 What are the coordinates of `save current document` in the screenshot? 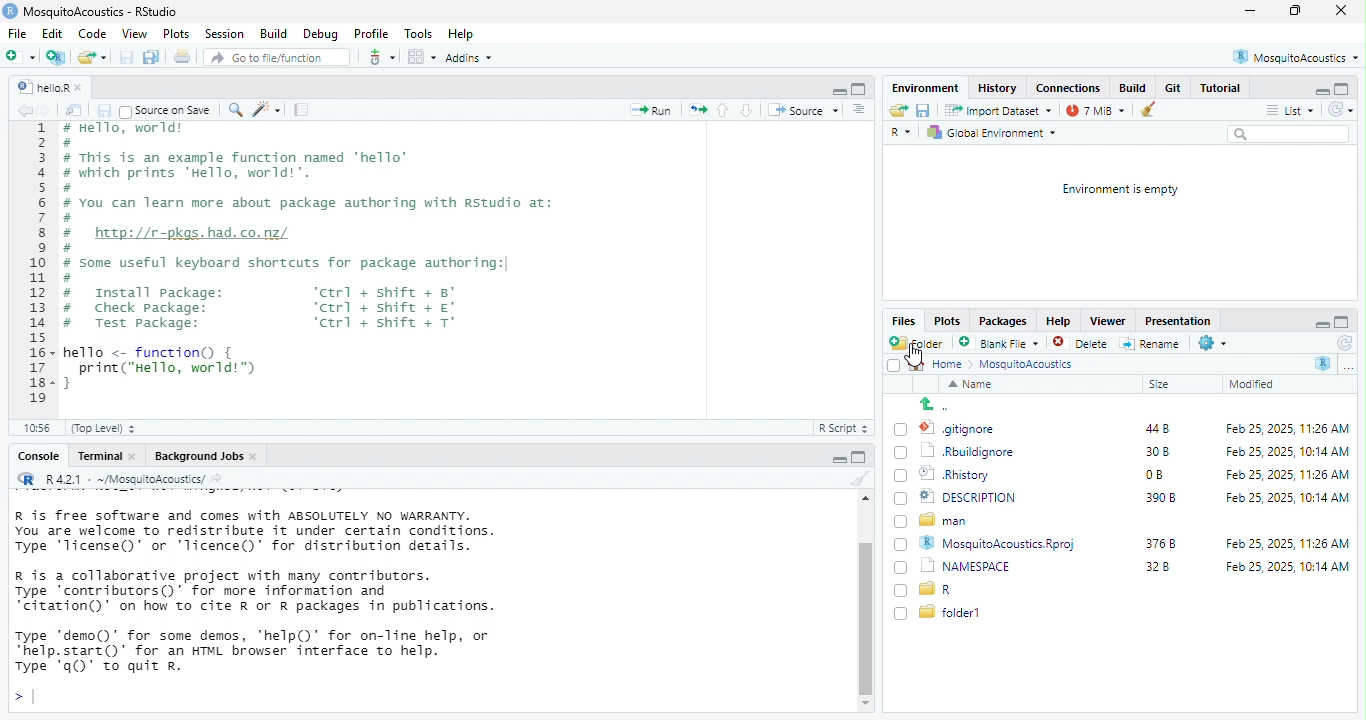 It's located at (128, 57).